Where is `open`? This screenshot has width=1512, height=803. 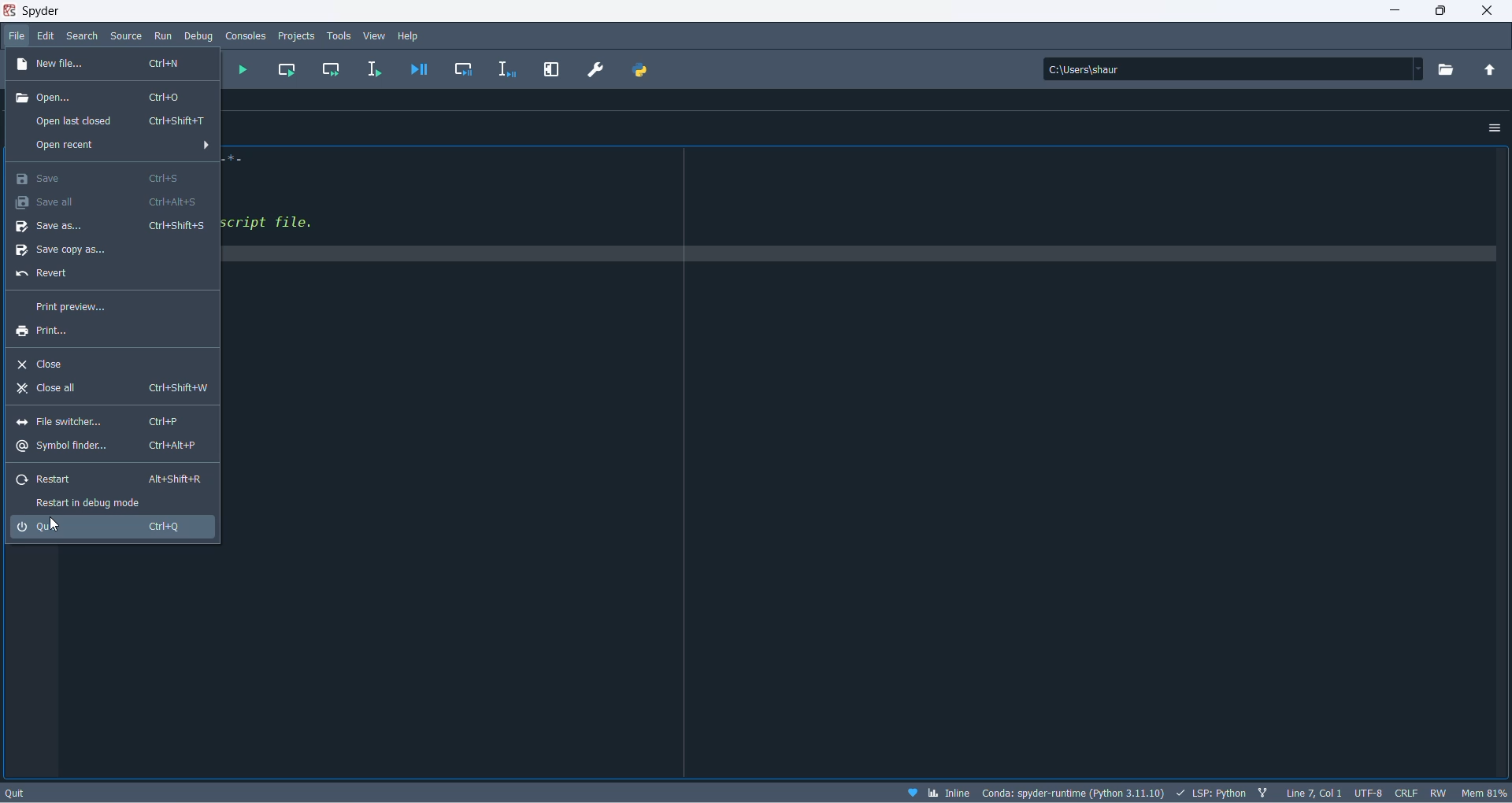 open is located at coordinates (112, 96).